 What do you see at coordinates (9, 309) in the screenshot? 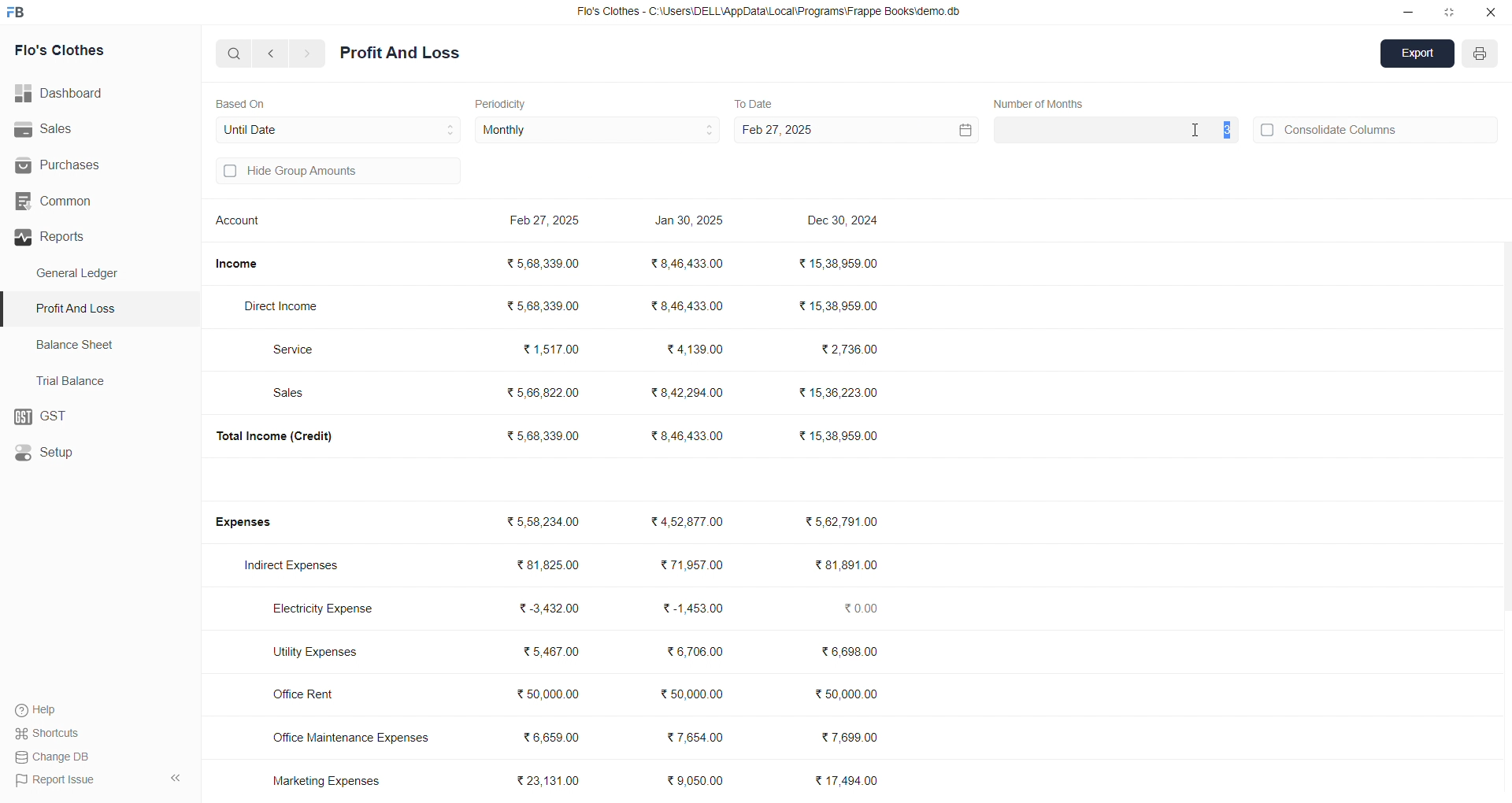
I see `selected` at bounding box center [9, 309].